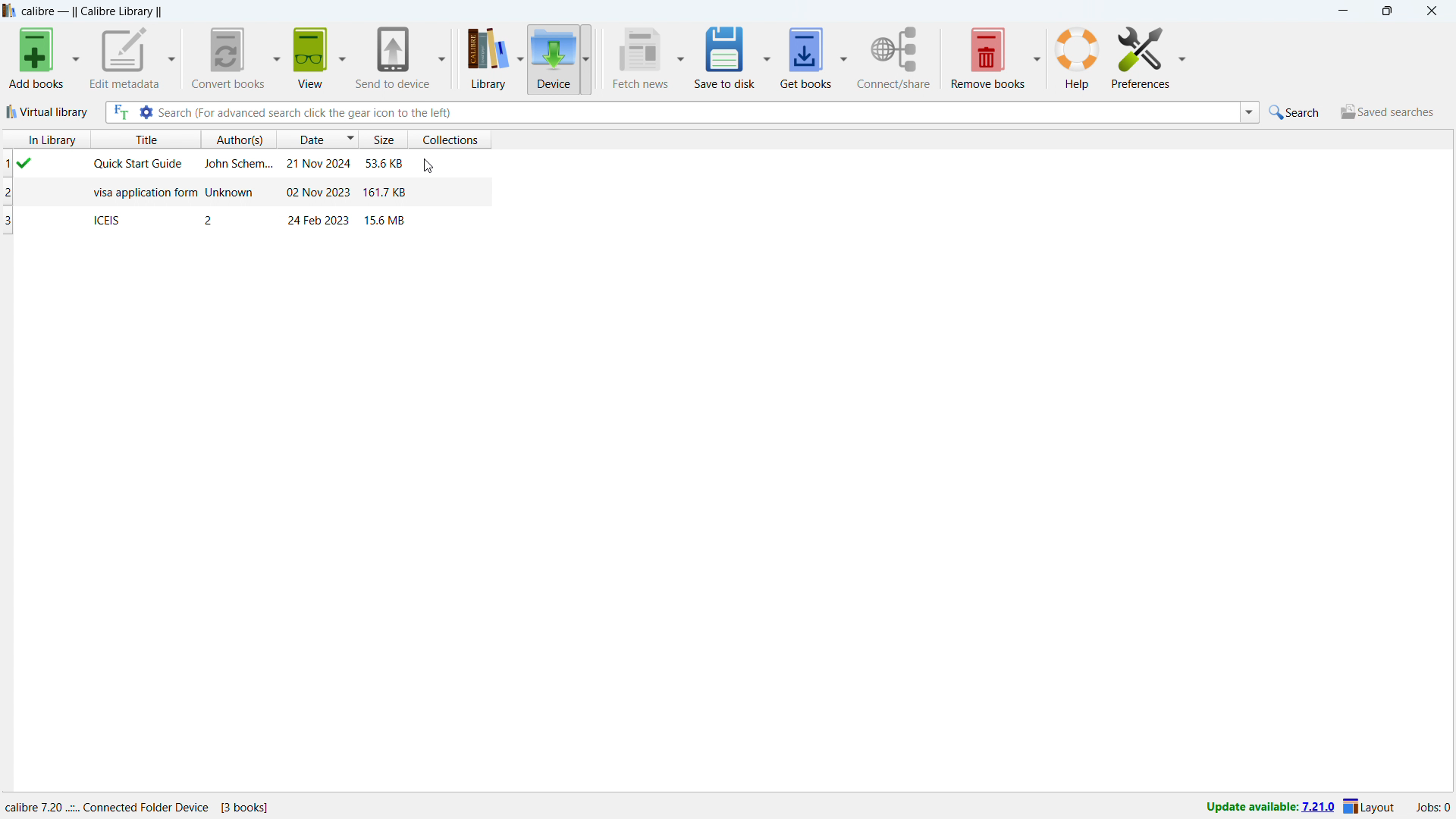  Describe the element at coordinates (172, 804) in the screenshot. I see `details of software program` at that location.